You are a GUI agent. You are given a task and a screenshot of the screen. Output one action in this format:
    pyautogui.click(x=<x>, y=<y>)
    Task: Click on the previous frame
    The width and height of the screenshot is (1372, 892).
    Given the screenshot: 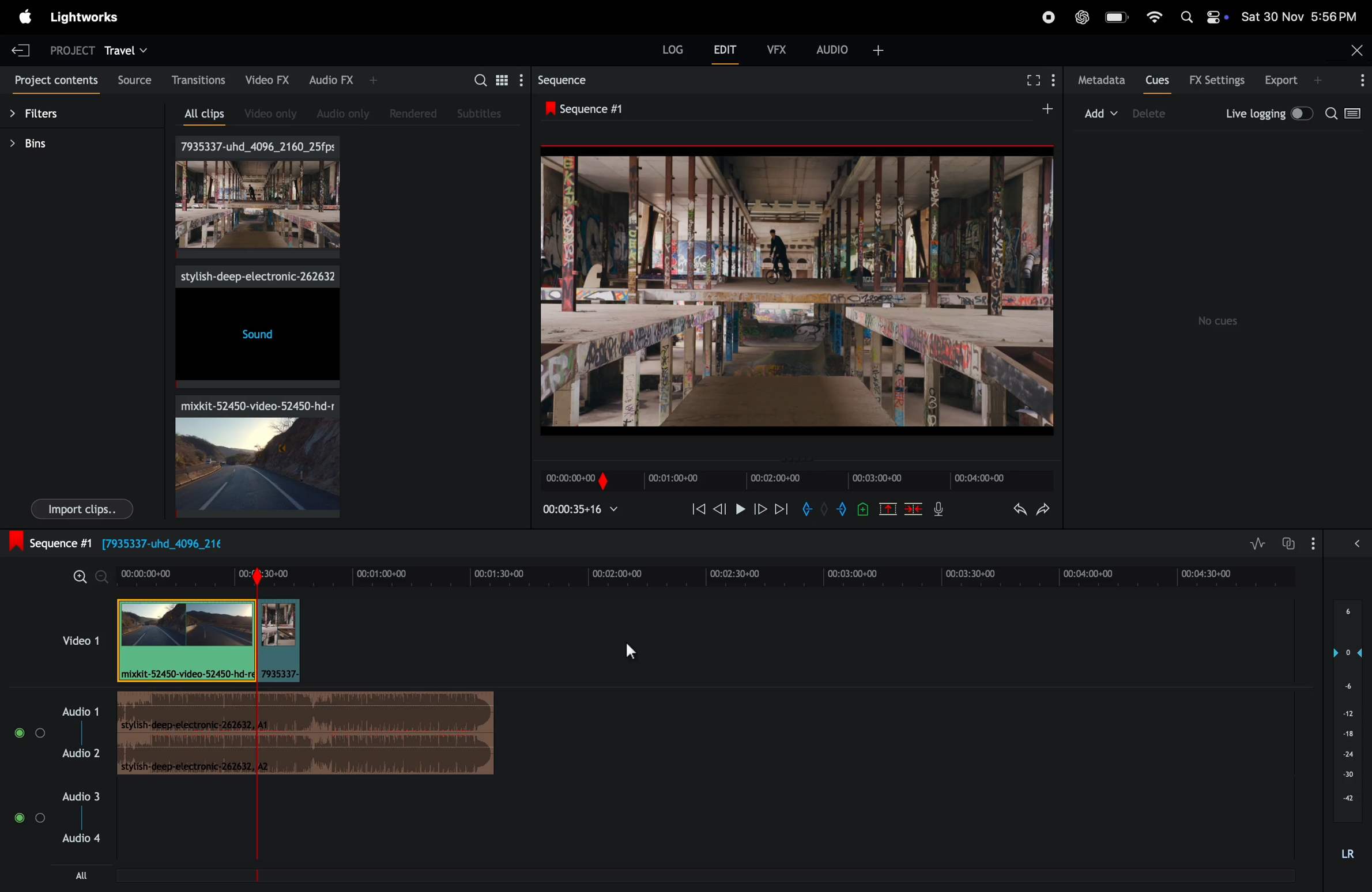 What is the action you would take?
    pyautogui.click(x=721, y=509)
    